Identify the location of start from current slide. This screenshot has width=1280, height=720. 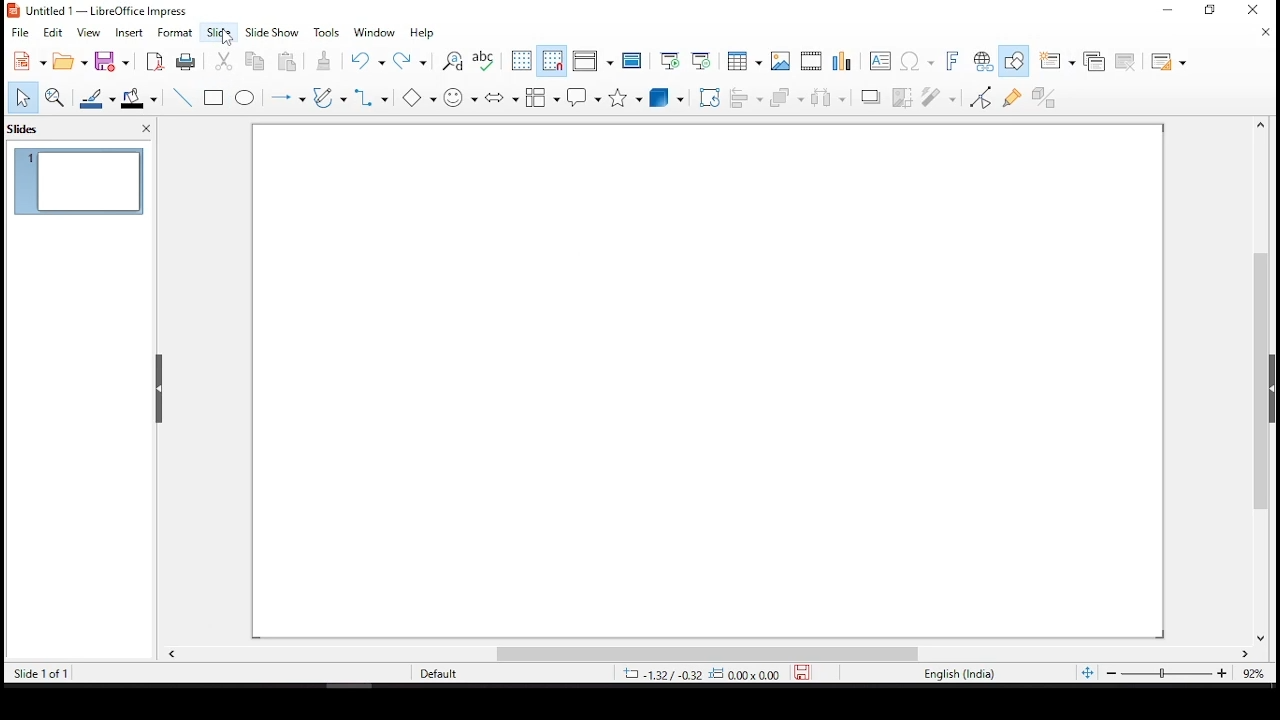
(700, 60).